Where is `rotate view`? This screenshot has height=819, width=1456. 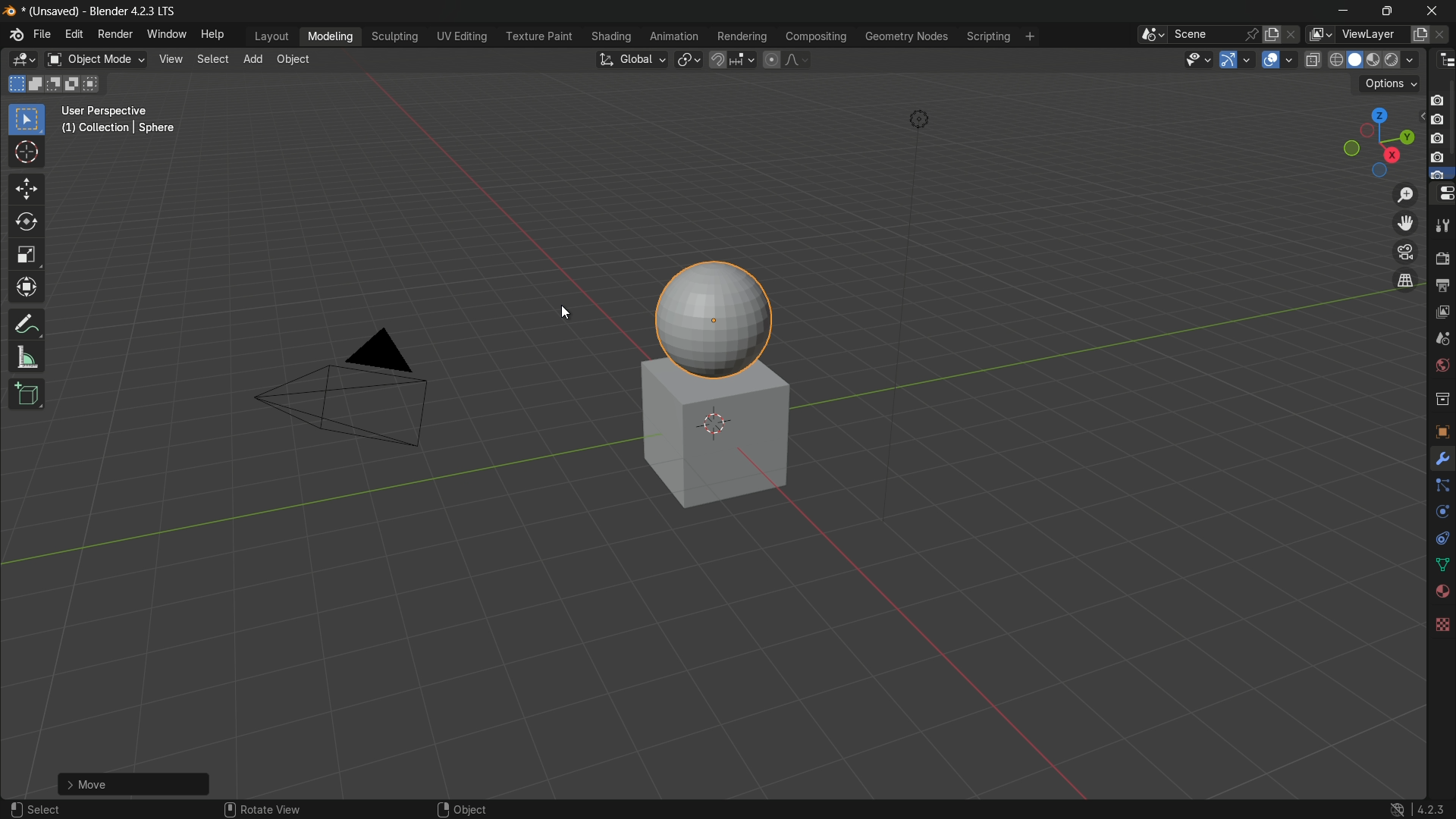 rotate view is located at coordinates (259, 810).